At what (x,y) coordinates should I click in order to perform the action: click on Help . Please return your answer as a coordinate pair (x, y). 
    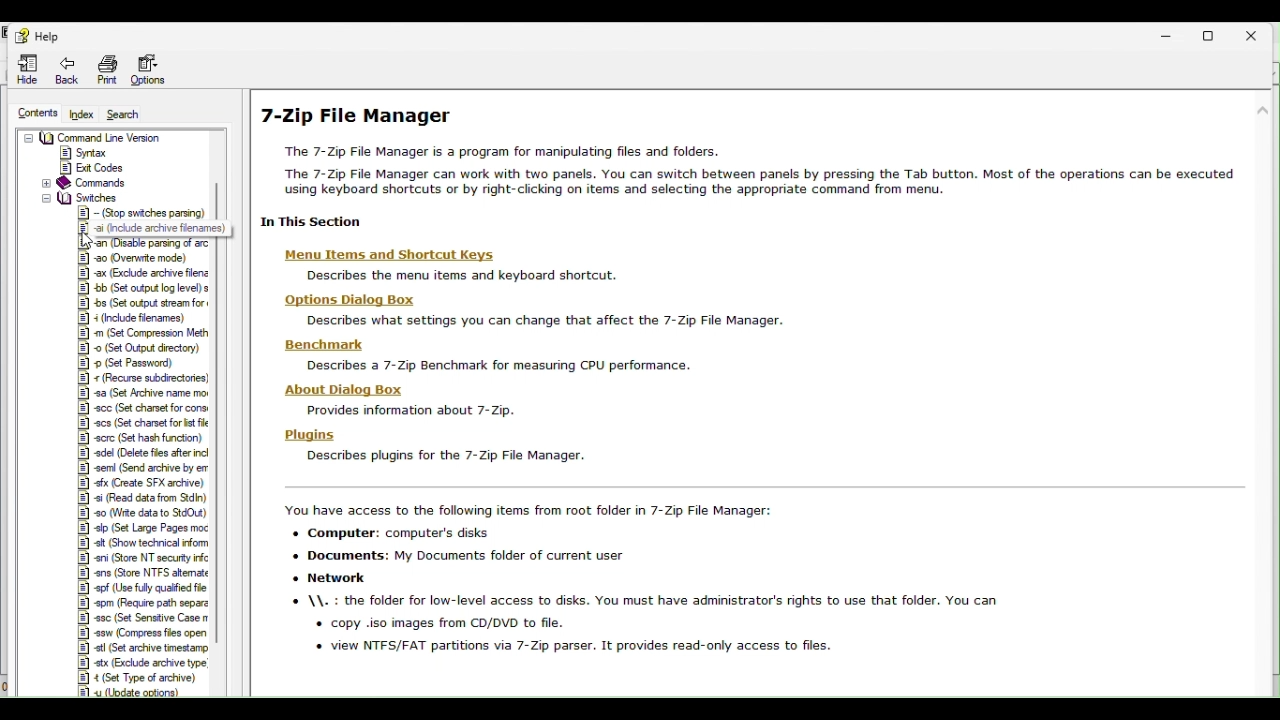
    Looking at the image, I should click on (34, 34).